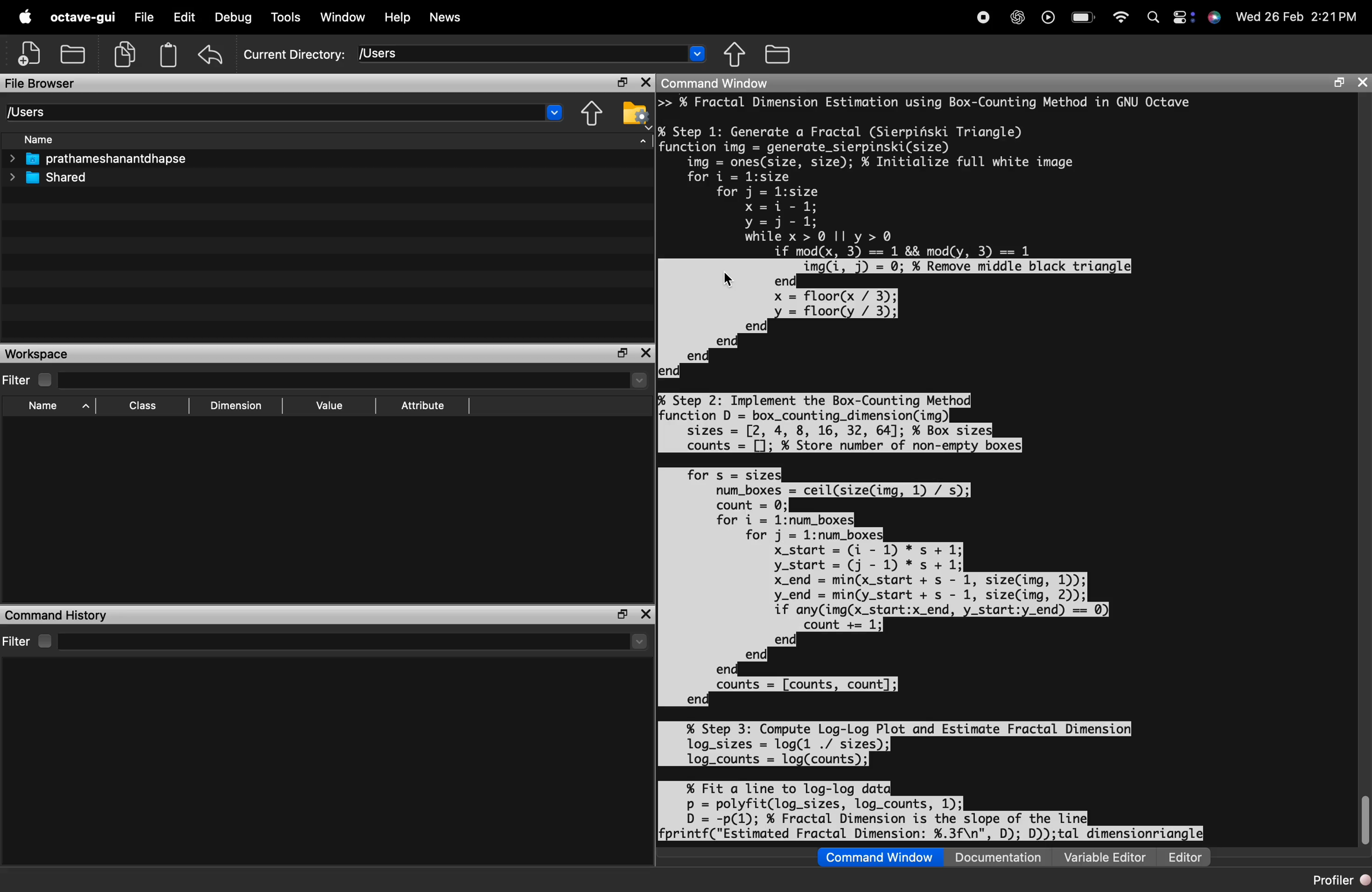 This screenshot has width=1372, height=892. What do you see at coordinates (87, 406) in the screenshot?
I see `sort` at bounding box center [87, 406].